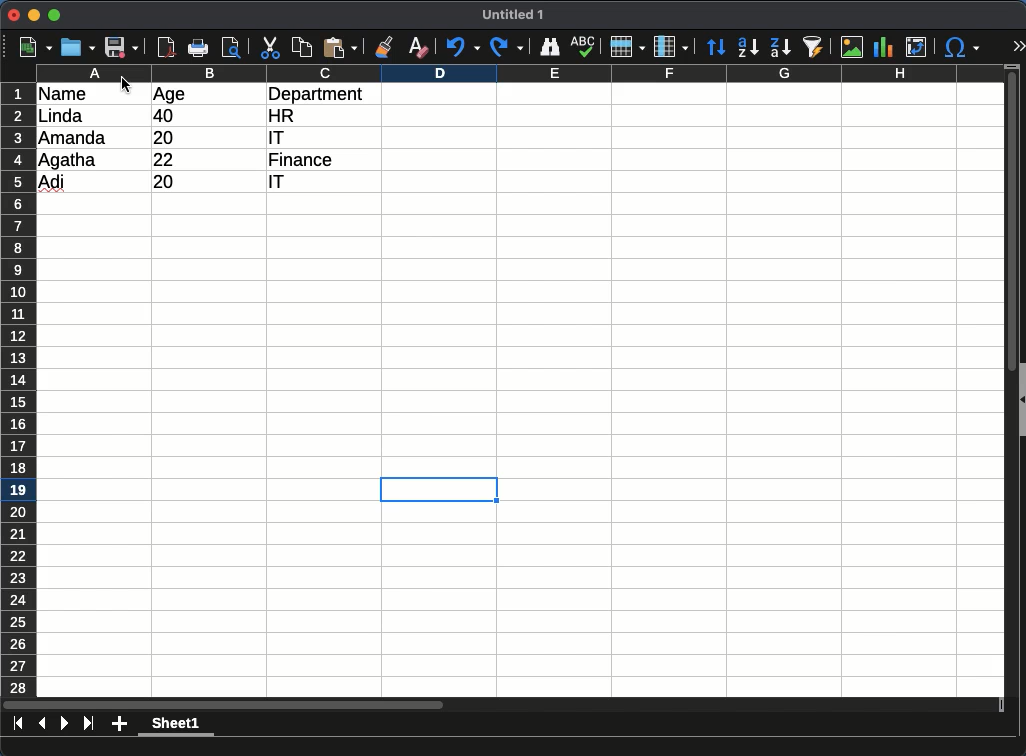 This screenshot has height=756, width=1026. I want to click on open, so click(78, 47).